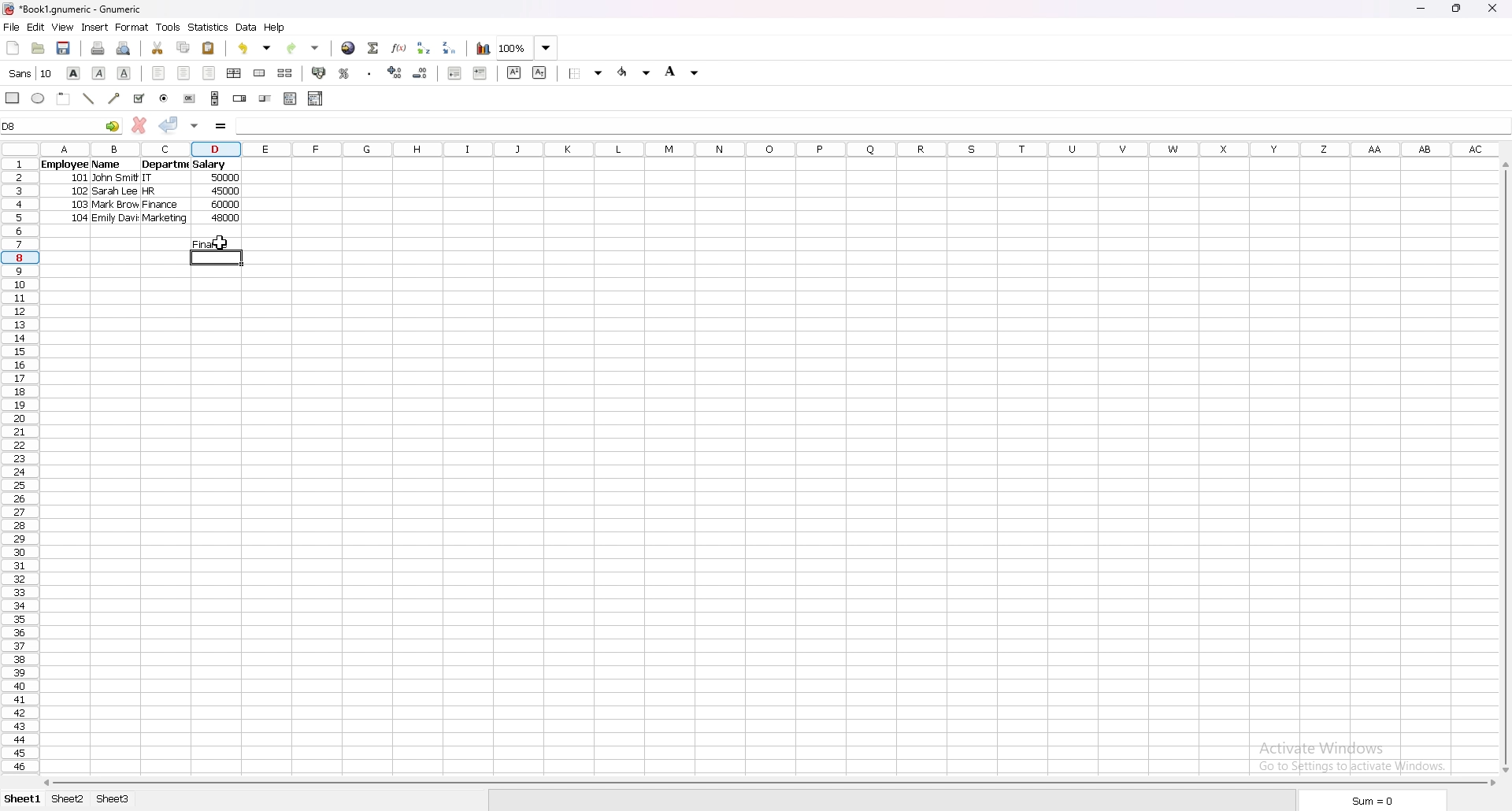 This screenshot has height=811, width=1512. I want to click on cut, so click(157, 47).